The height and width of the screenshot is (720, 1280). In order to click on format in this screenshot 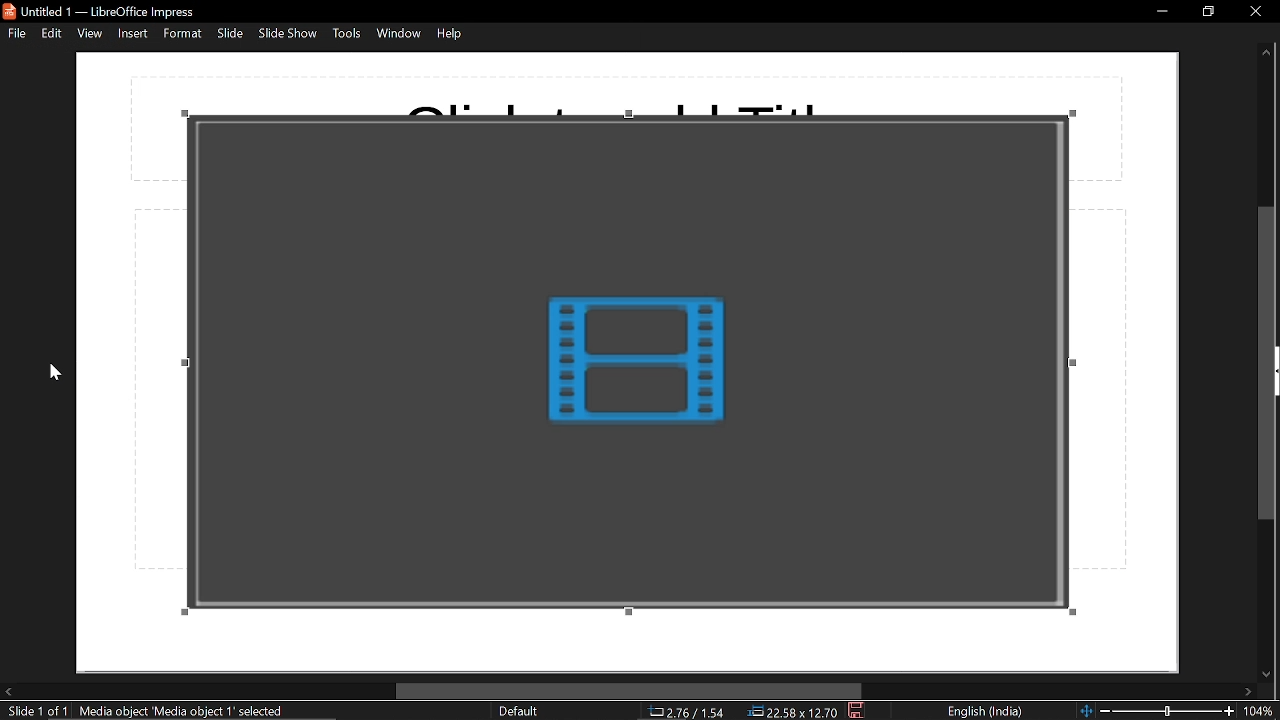, I will do `click(182, 34)`.